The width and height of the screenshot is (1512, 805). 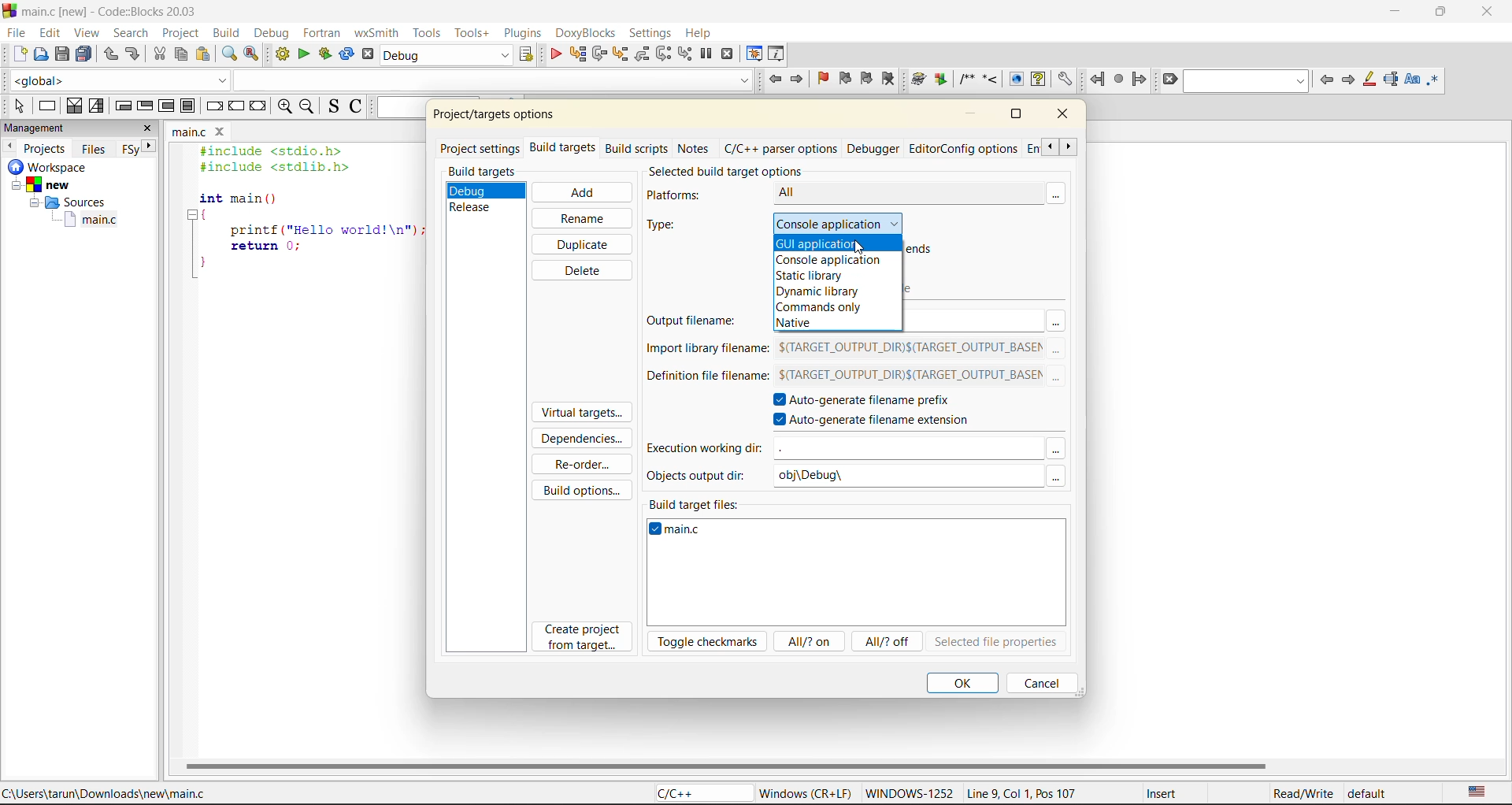 What do you see at coordinates (65, 202) in the screenshot?
I see `Sources` at bounding box center [65, 202].